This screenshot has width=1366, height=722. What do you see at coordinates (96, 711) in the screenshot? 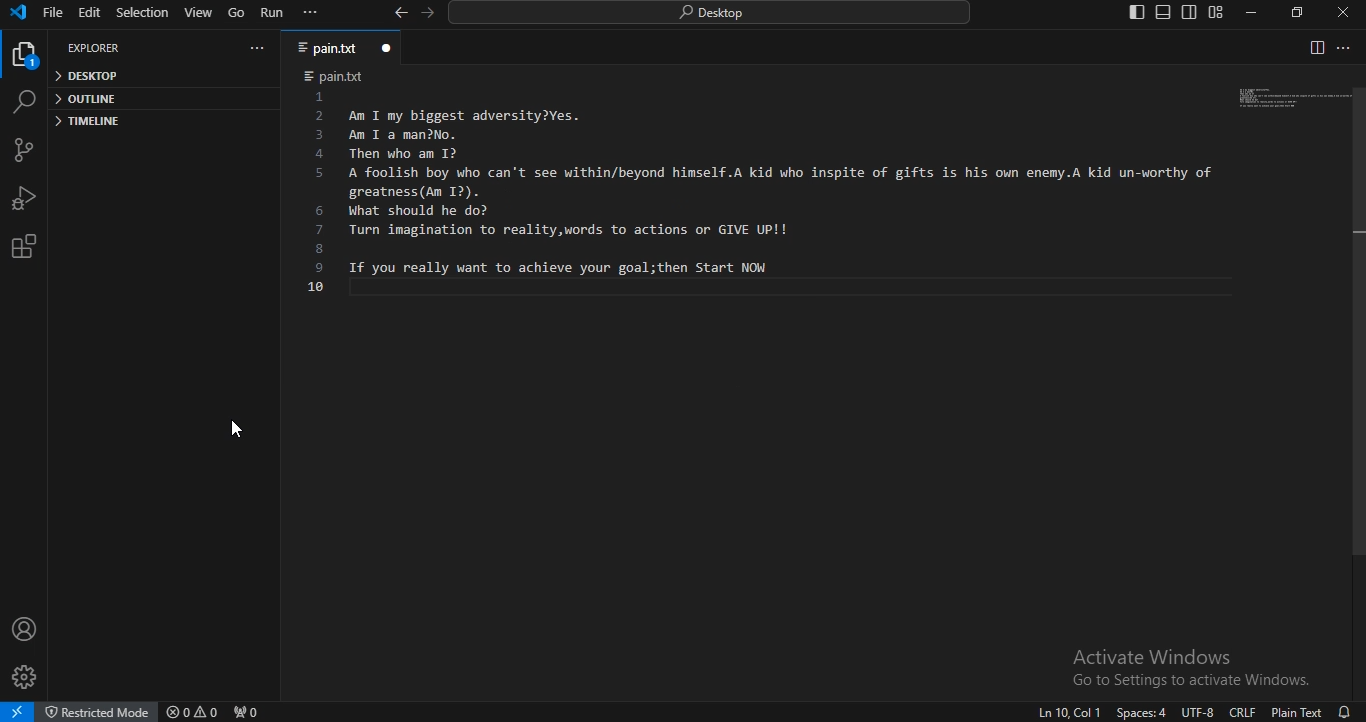
I see `restricted mode` at bounding box center [96, 711].